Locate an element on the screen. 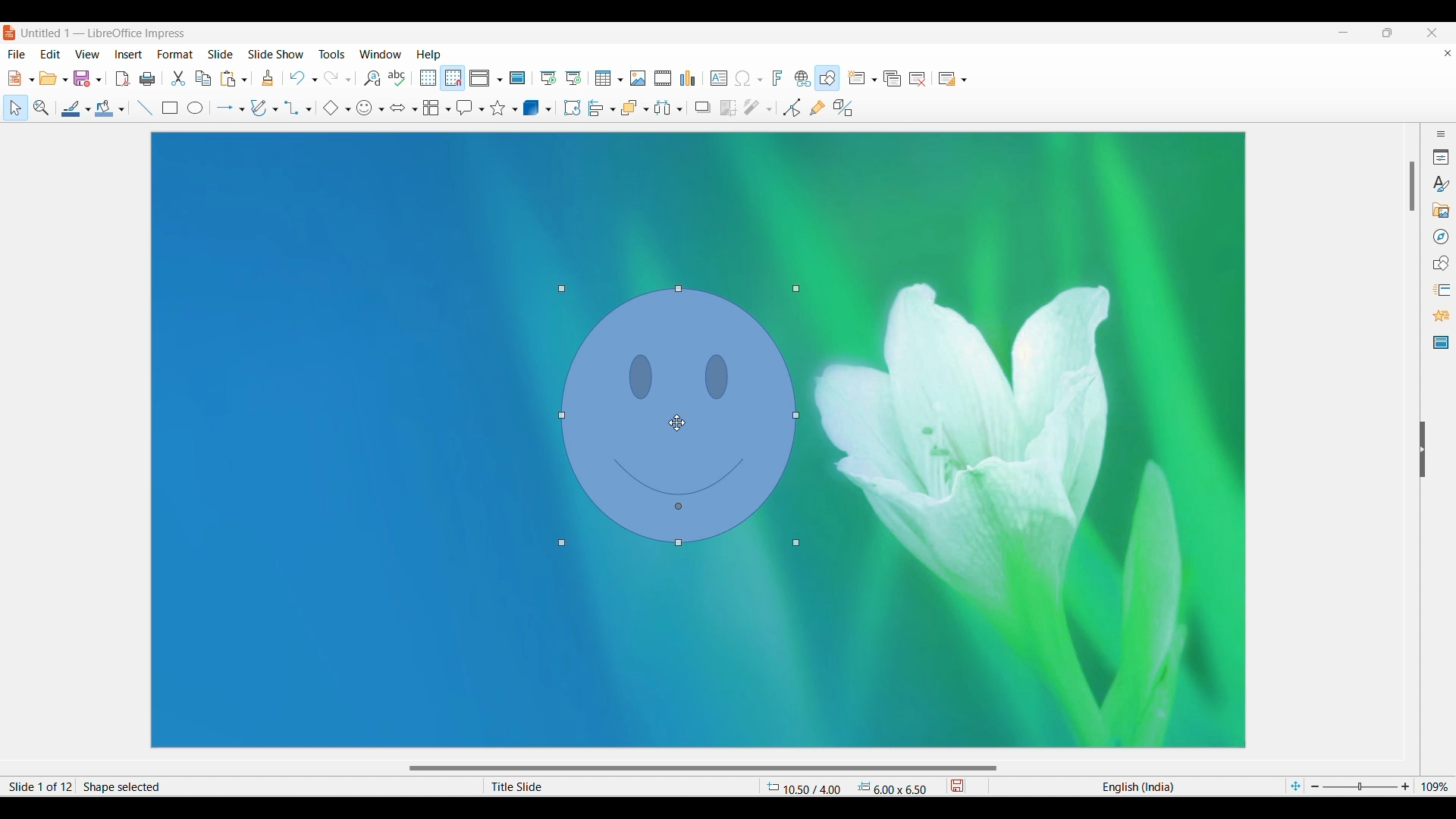 The width and height of the screenshot is (1456, 819). Special character options is located at coordinates (760, 80).